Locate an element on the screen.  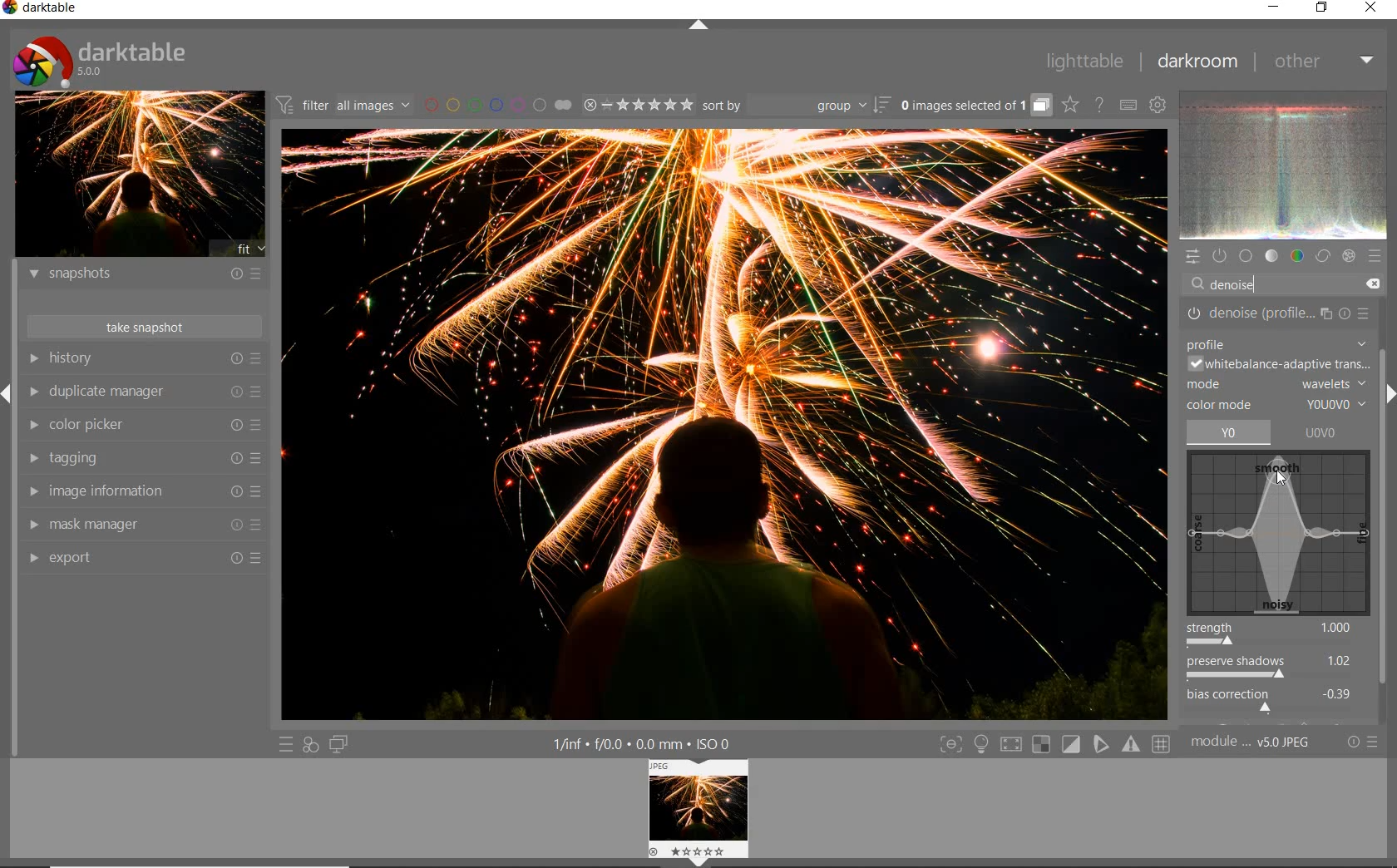
base is located at coordinates (1247, 257).